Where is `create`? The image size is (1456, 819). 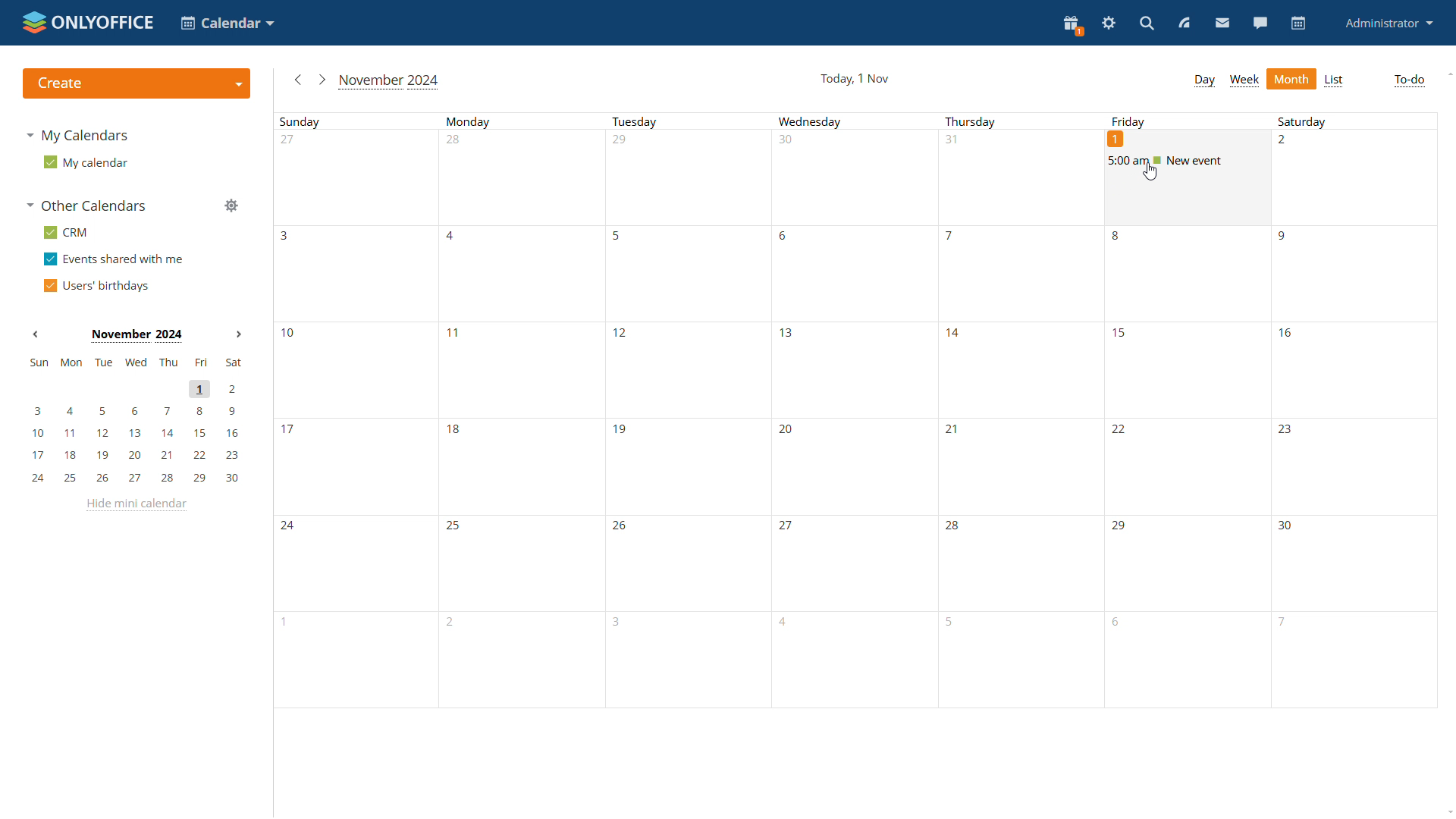
create is located at coordinates (136, 83).